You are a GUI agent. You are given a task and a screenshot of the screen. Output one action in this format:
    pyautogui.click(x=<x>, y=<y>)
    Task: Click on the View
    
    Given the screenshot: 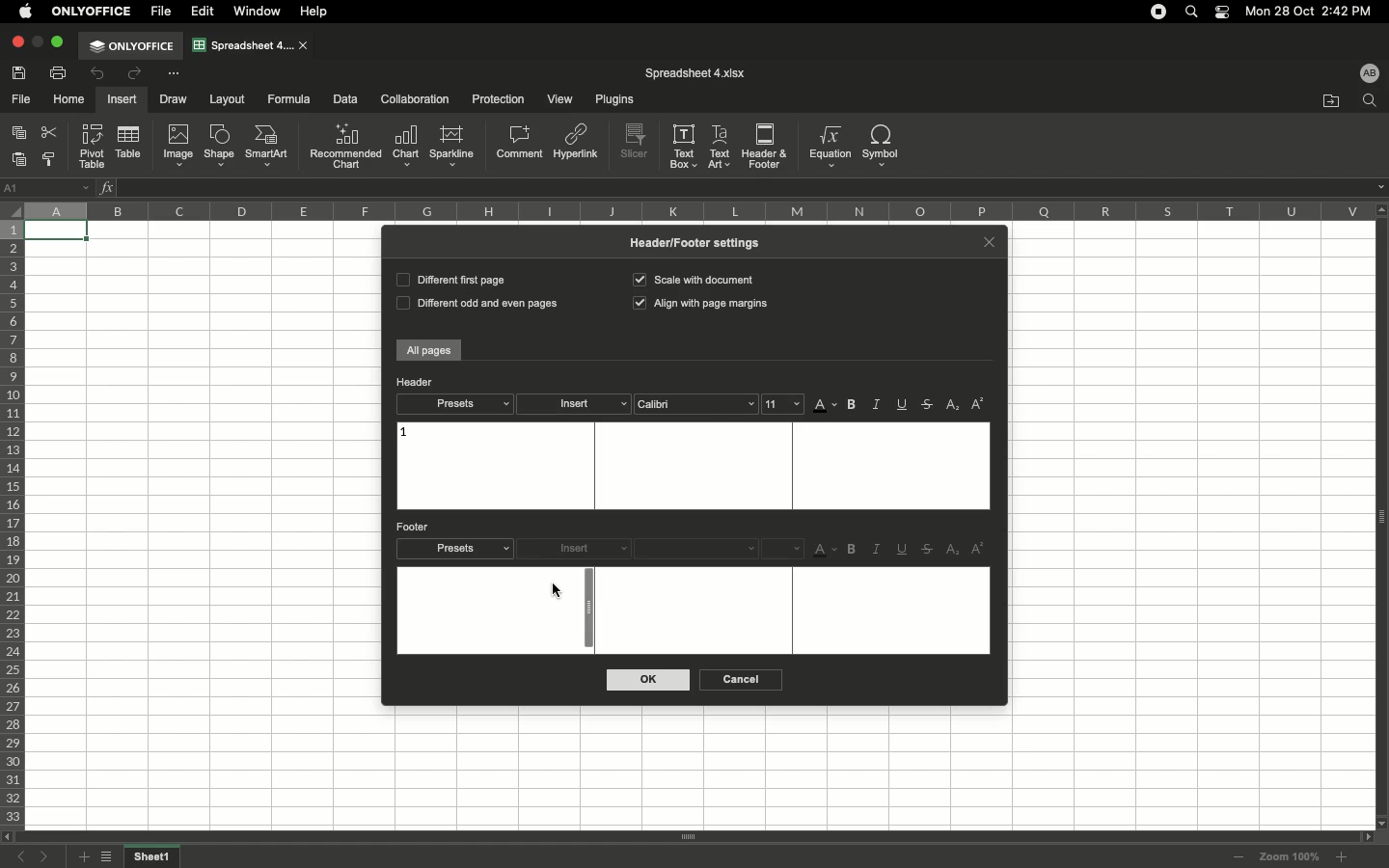 What is the action you would take?
    pyautogui.click(x=558, y=100)
    